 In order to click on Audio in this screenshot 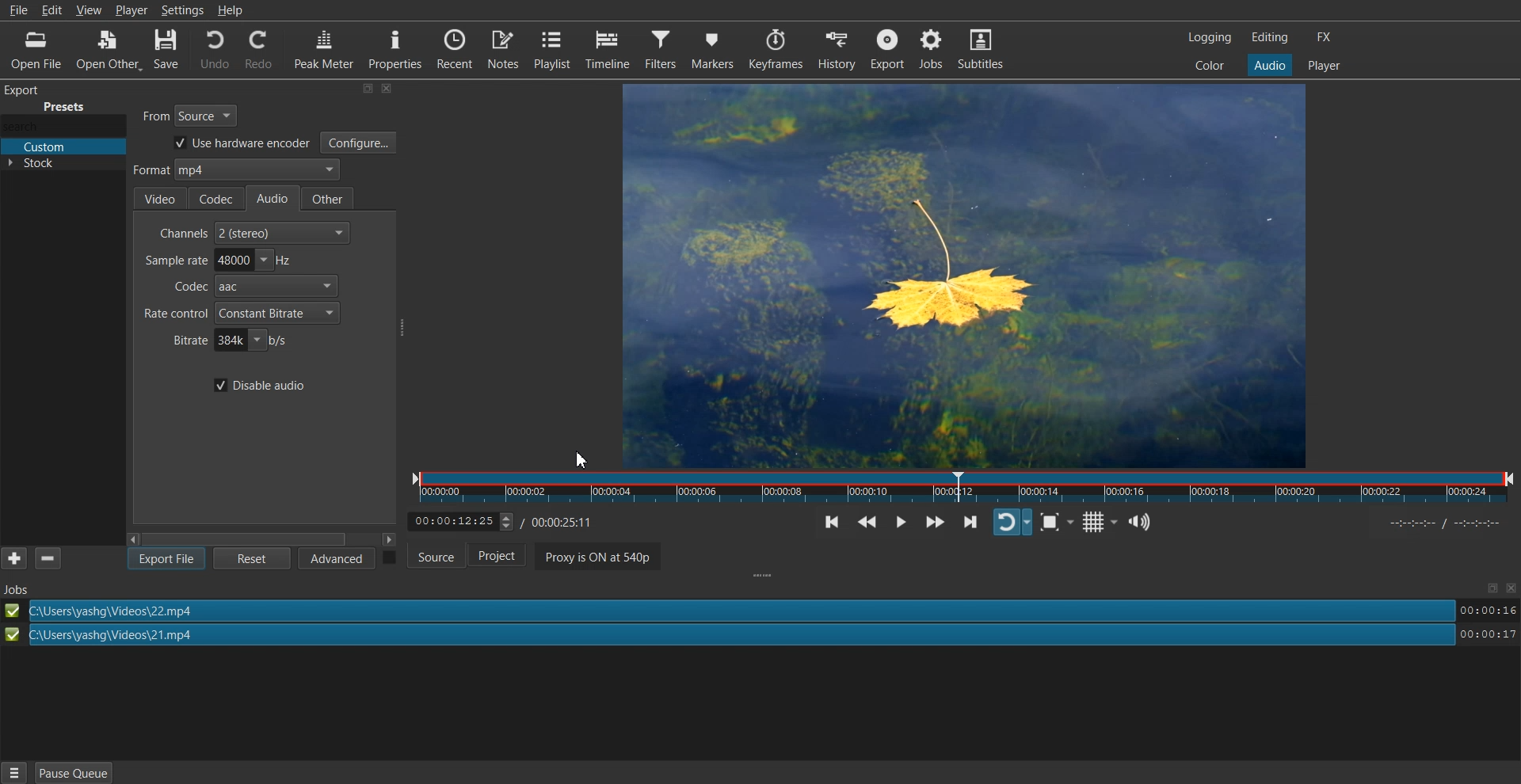, I will do `click(276, 199)`.